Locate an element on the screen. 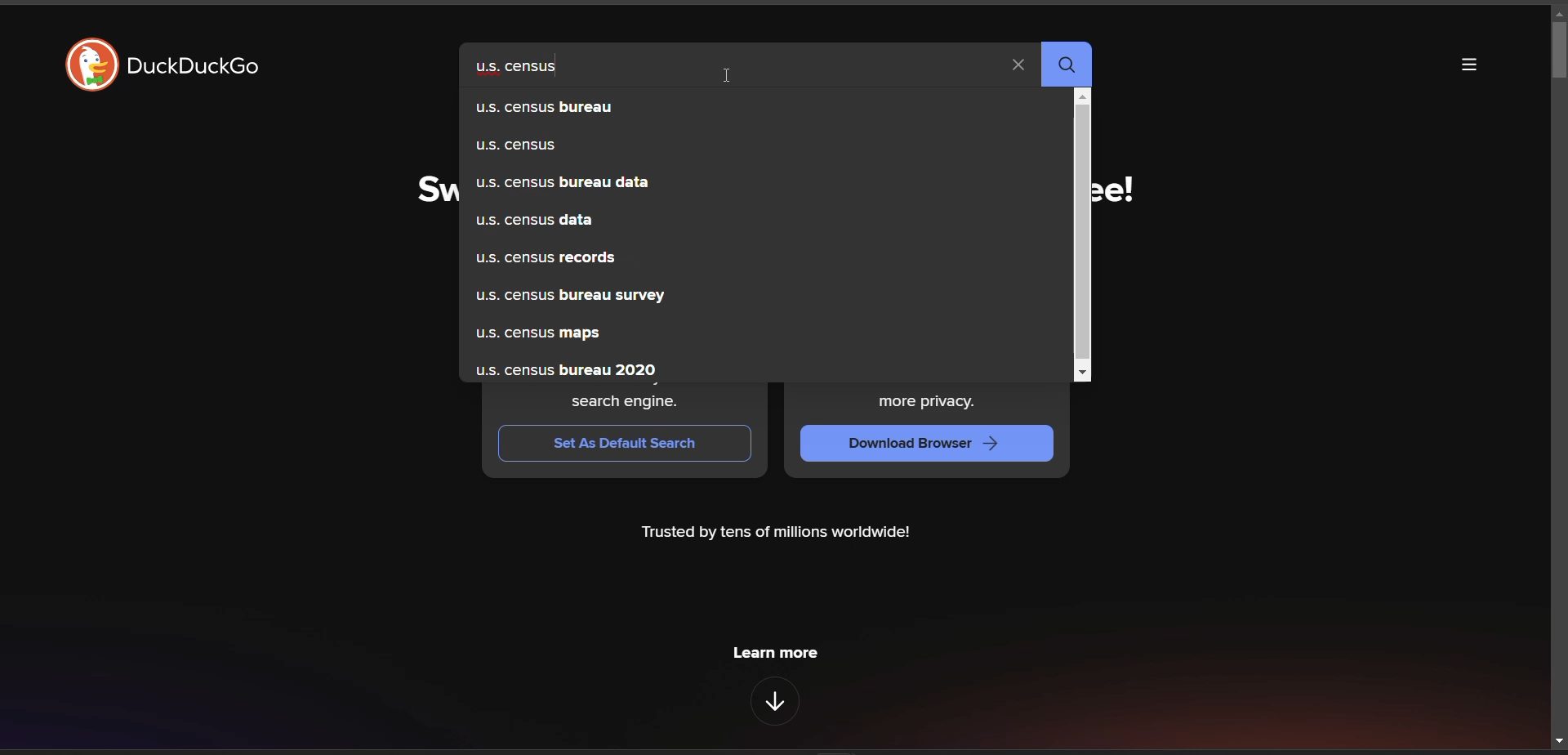 The image size is (1568, 755). scrollbar  is located at coordinates (1085, 236).